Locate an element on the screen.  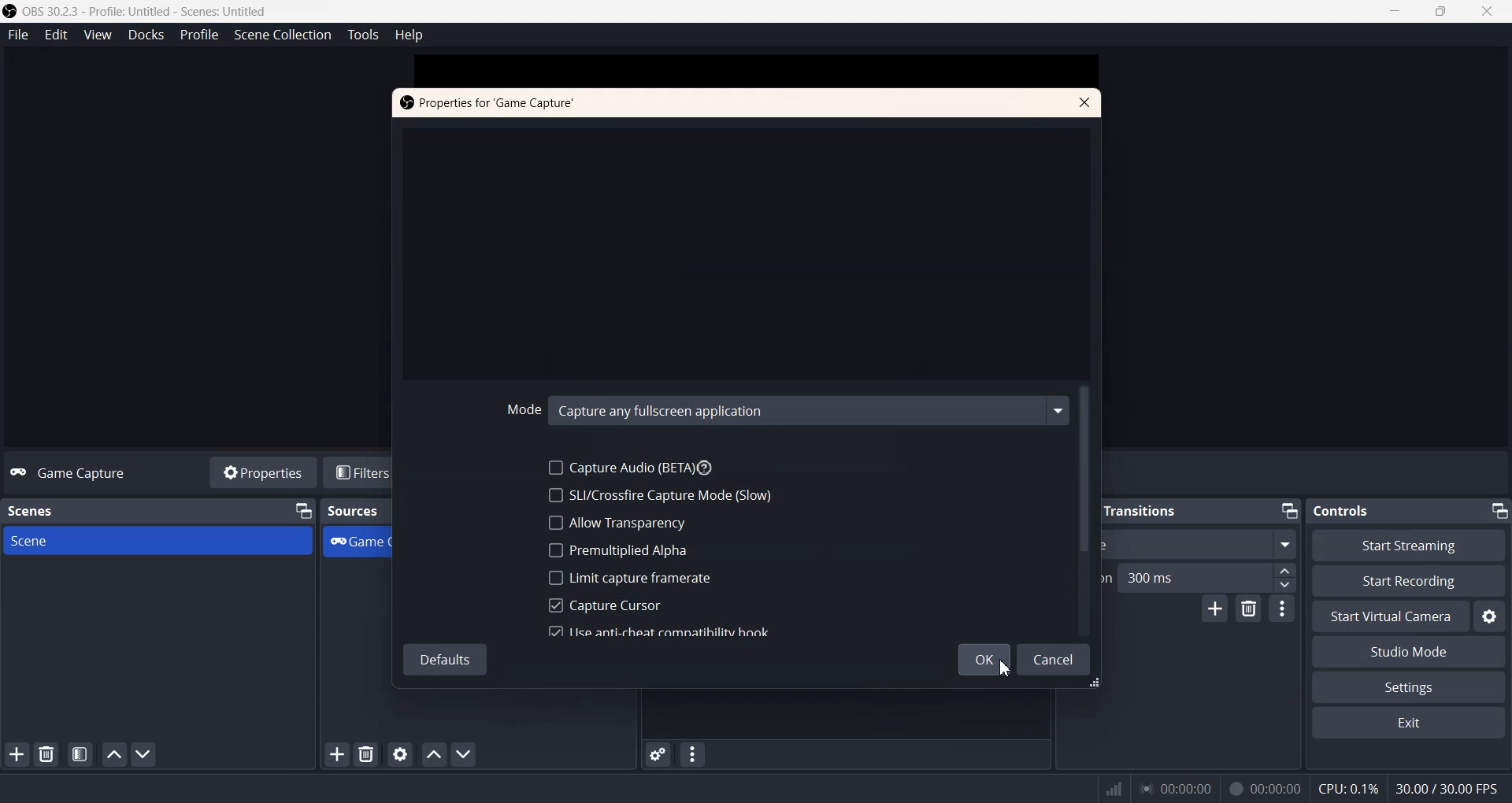
Properties is located at coordinates (262, 472).